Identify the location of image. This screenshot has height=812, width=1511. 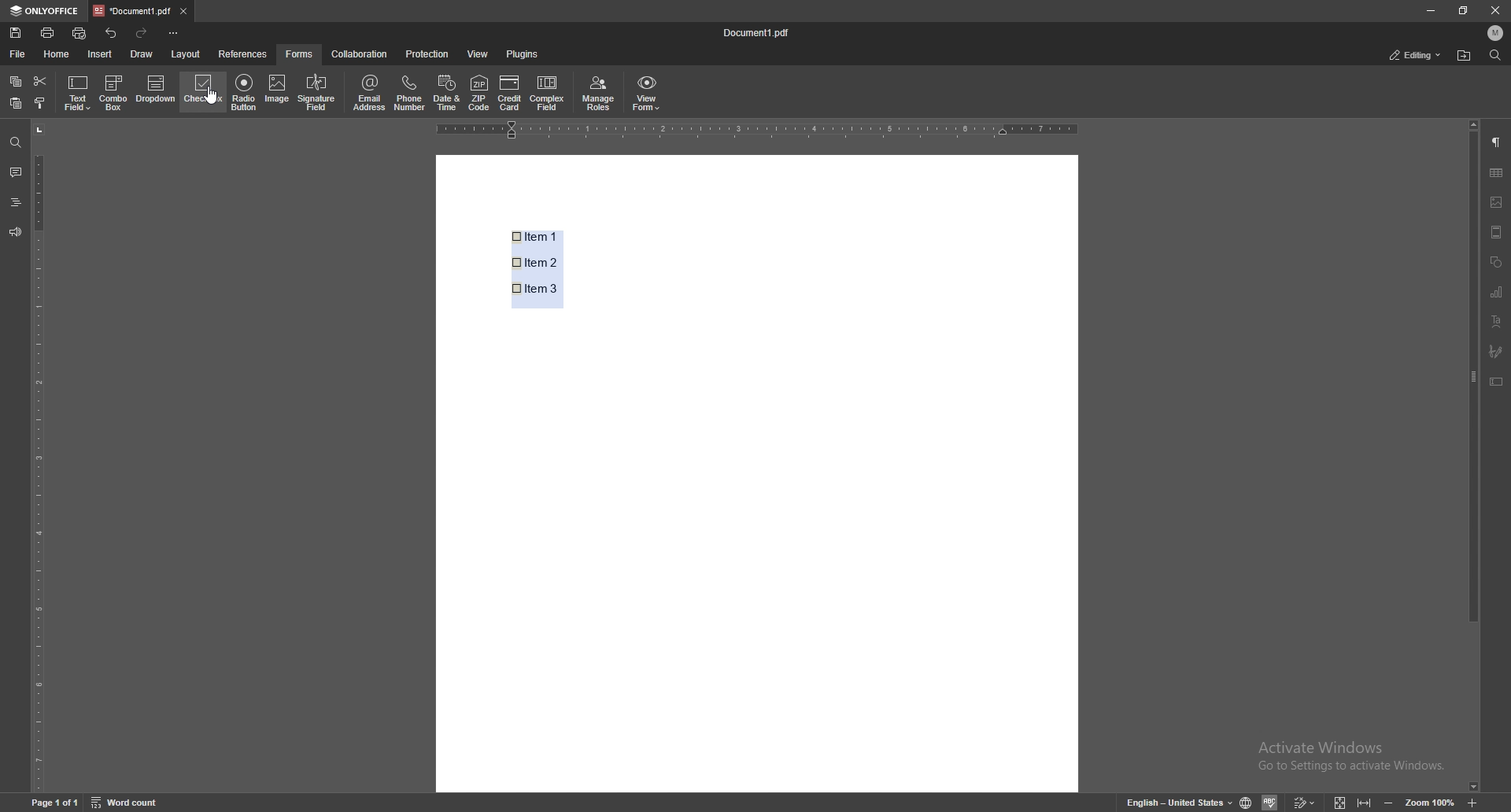
(1498, 202).